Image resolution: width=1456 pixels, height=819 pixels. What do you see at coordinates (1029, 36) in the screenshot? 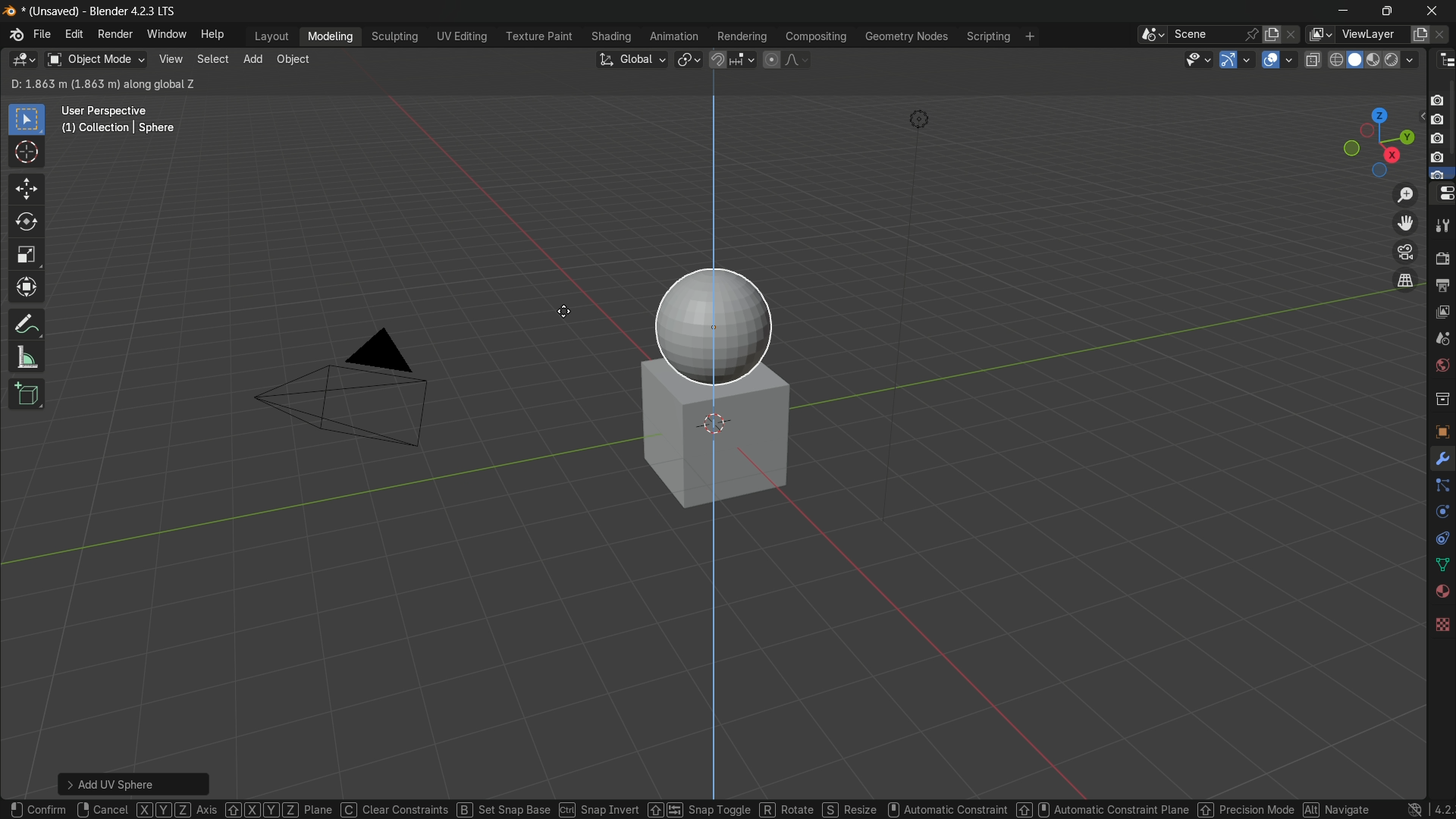
I see `add workplace` at bounding box center [1029, 36].